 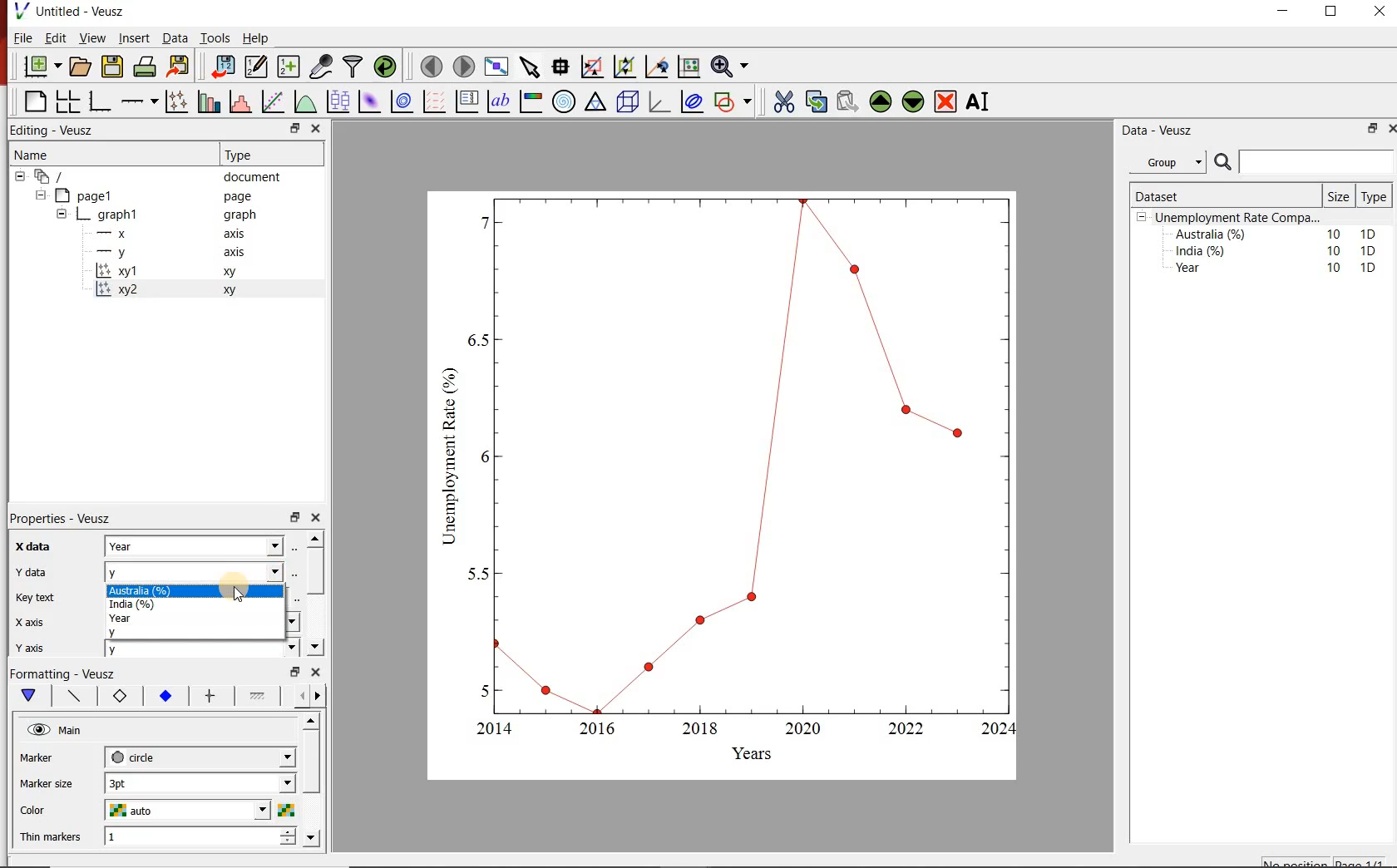 What do you see at coordinates (244, 594) in the screenshot?
I see `cursor` at bounding box center [244, 594].